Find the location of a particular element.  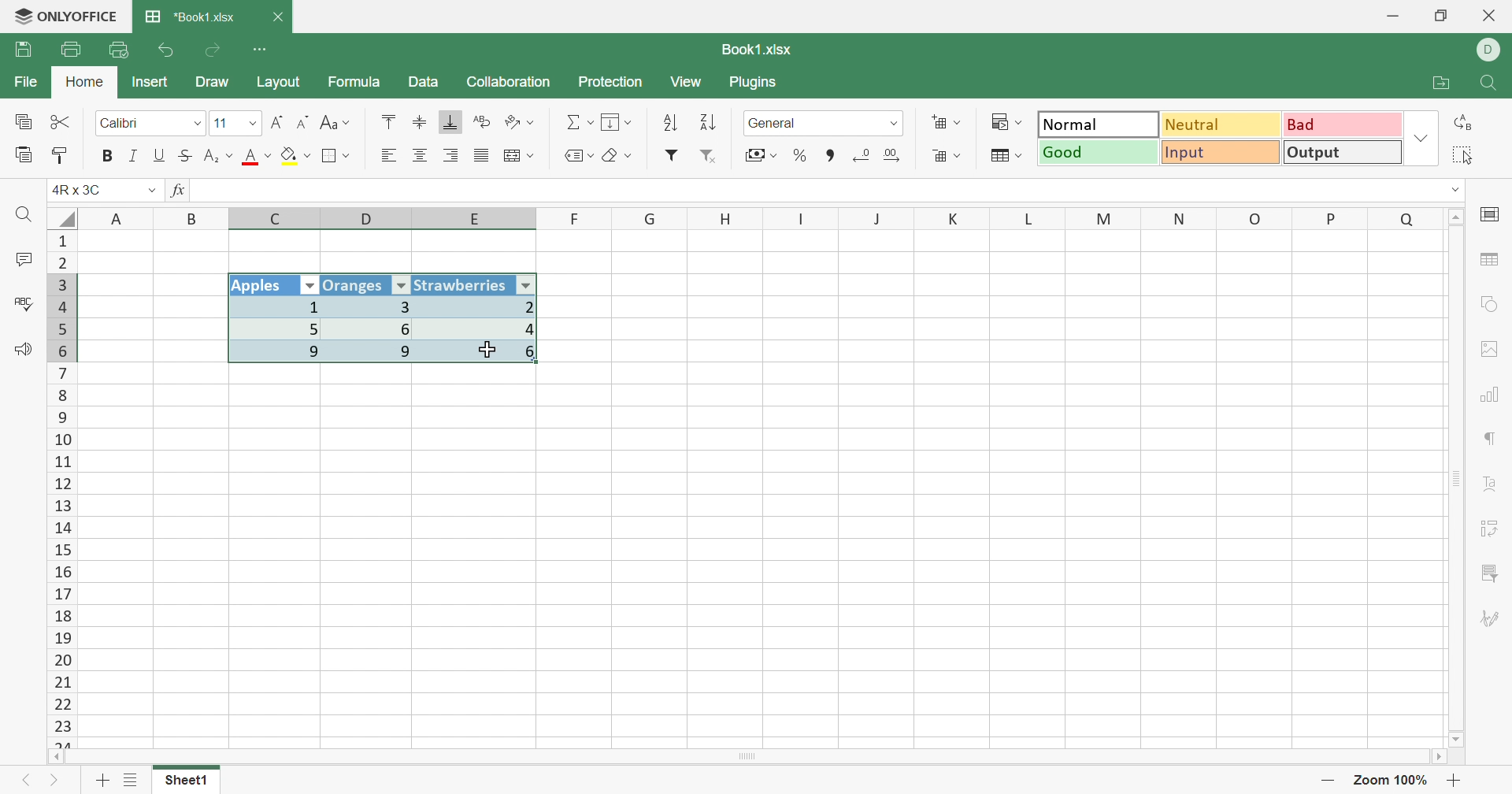

9 is located at coordinates (377, 353).